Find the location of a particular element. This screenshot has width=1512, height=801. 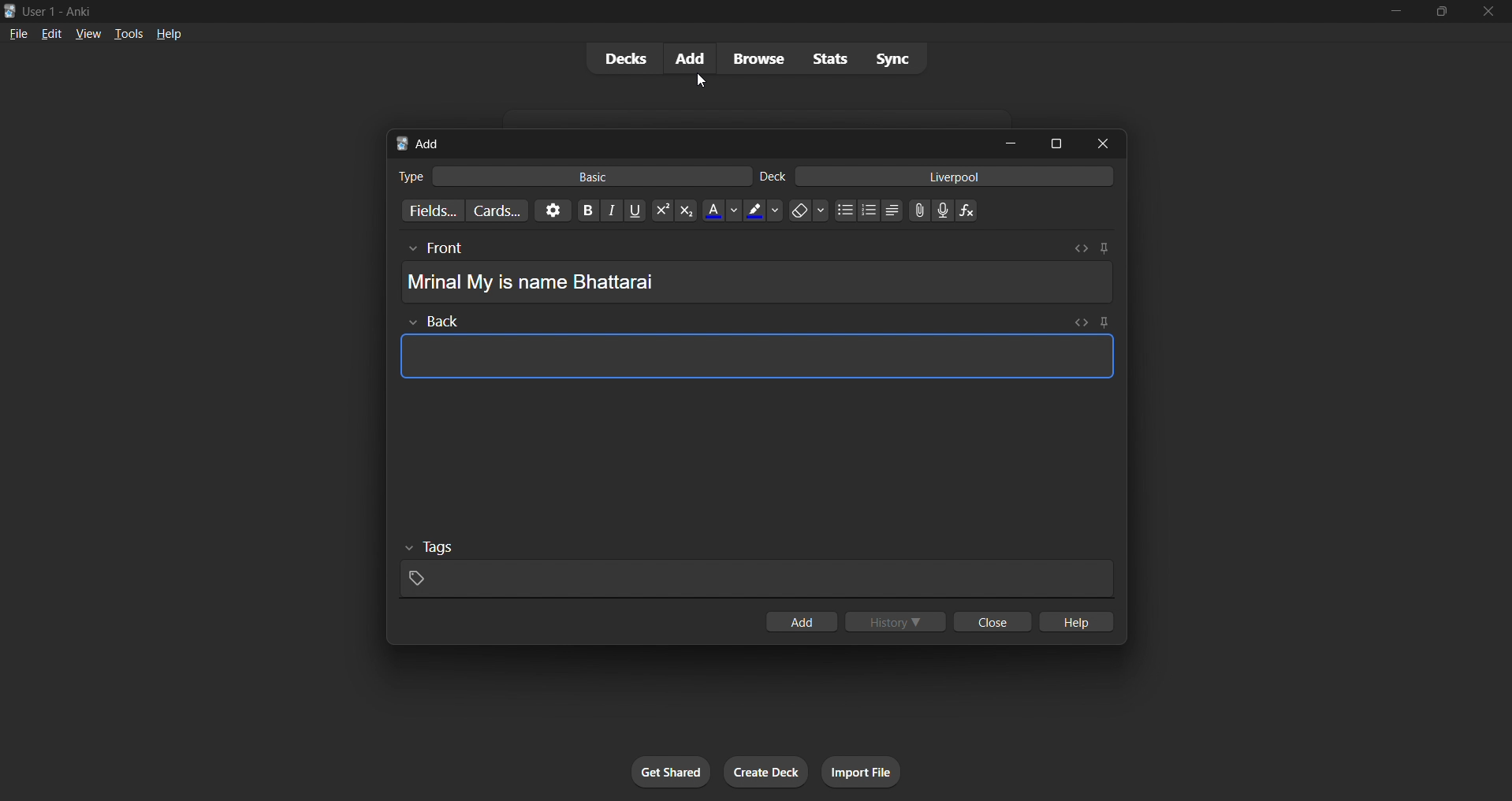

help is located at coordinates (1078, 621).